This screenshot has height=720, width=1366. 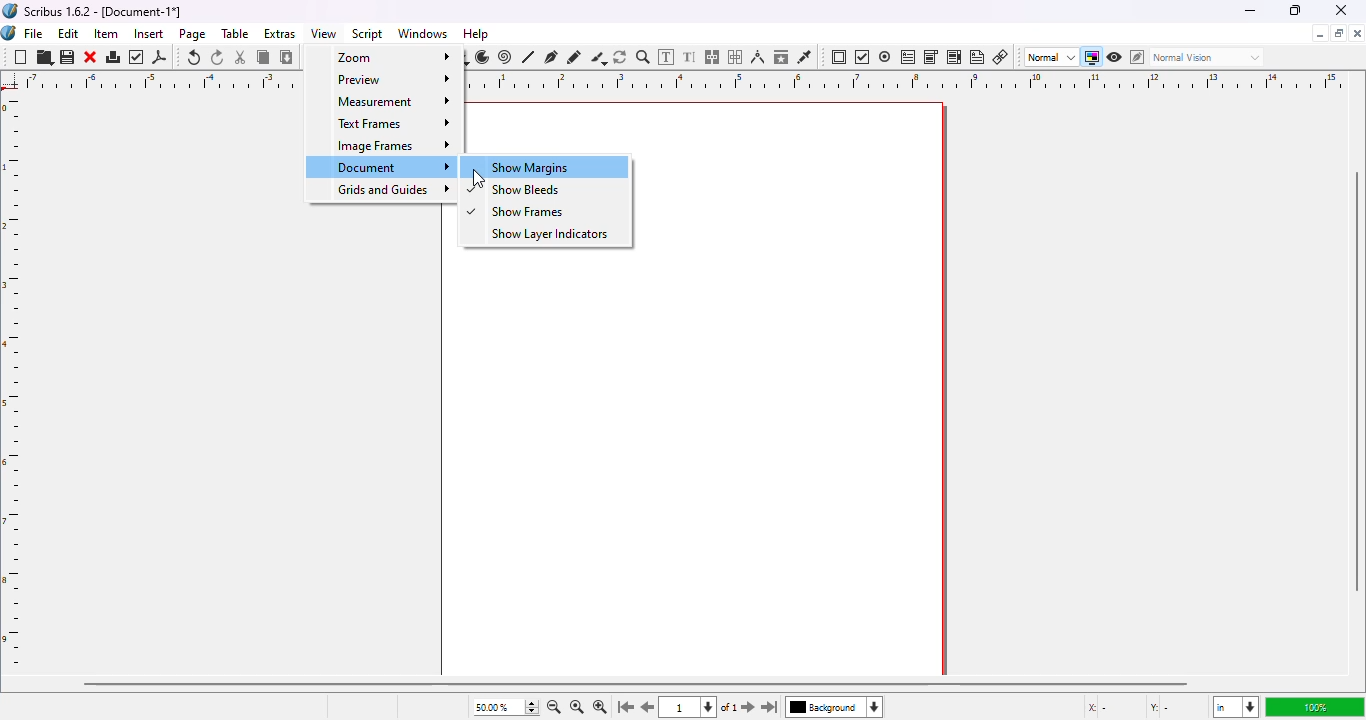 What do you see at coordinates (529, 57) in the screenshot?
I see `line` at bounding box center [529, 57].